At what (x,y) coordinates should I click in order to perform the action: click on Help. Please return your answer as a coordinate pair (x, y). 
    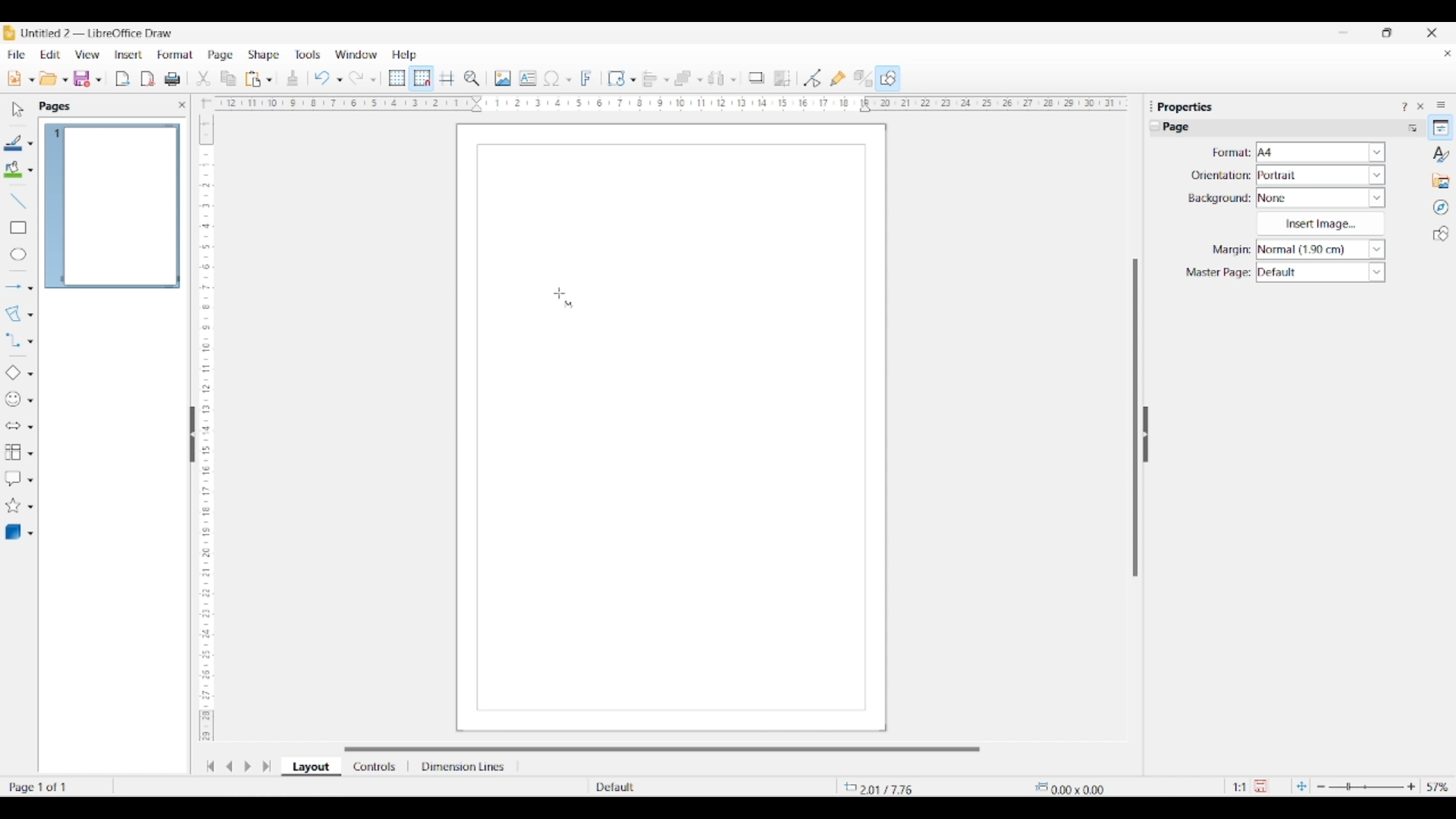
    Looking at the image, I should click on (405, 55).